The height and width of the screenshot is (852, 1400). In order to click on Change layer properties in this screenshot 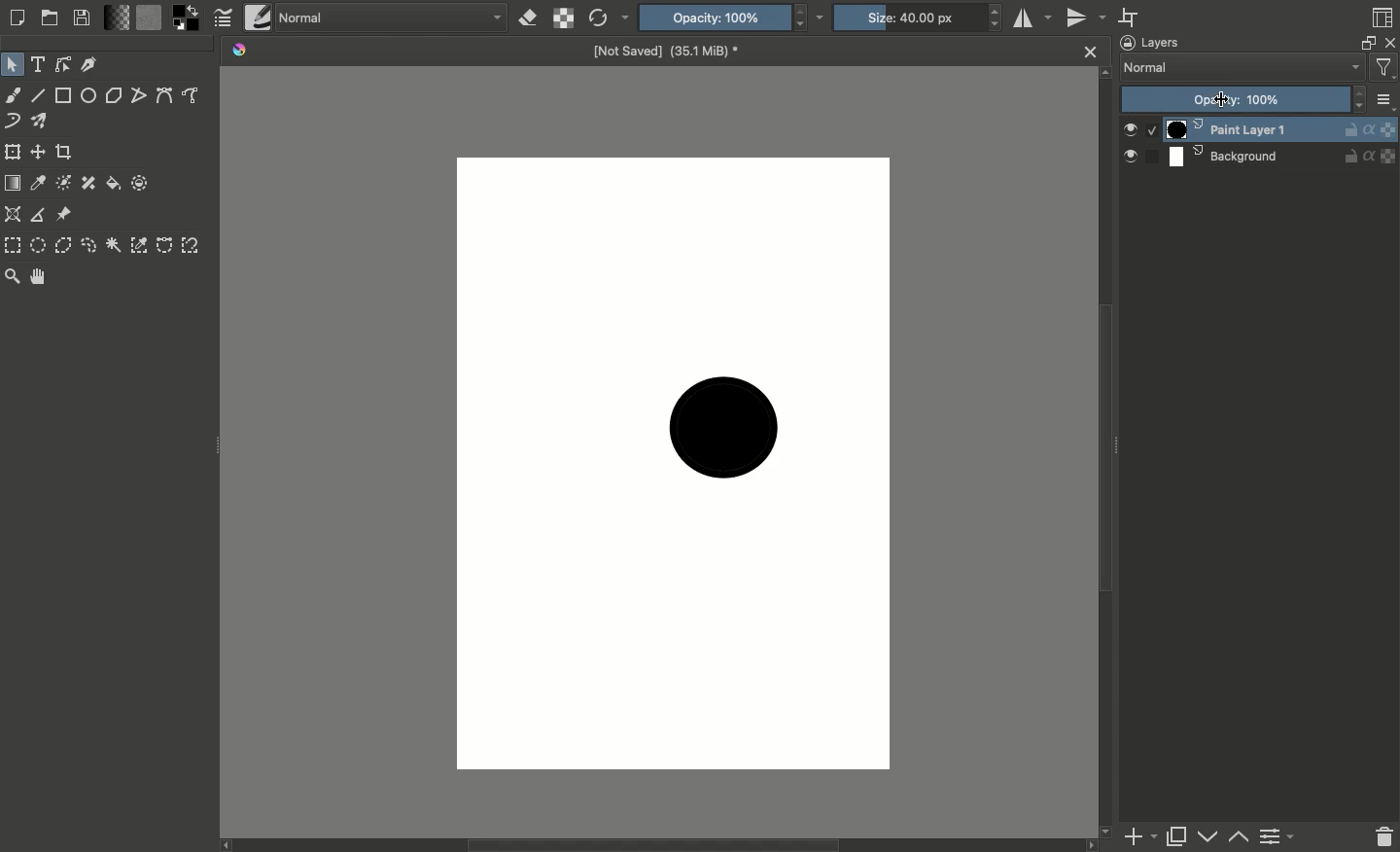, I will do `click(1278, 837)`.